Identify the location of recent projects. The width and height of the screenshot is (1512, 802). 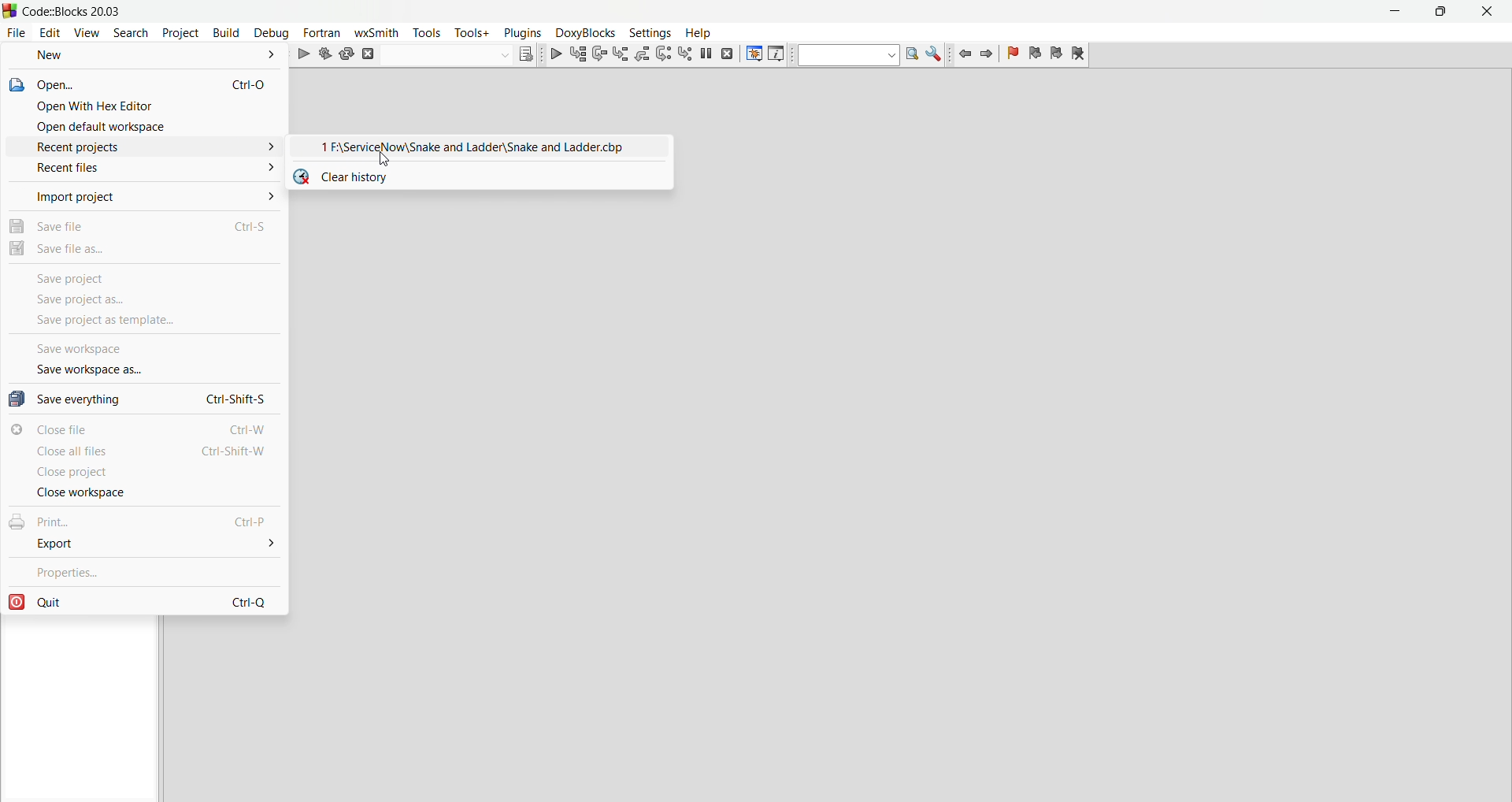
(144, 148).